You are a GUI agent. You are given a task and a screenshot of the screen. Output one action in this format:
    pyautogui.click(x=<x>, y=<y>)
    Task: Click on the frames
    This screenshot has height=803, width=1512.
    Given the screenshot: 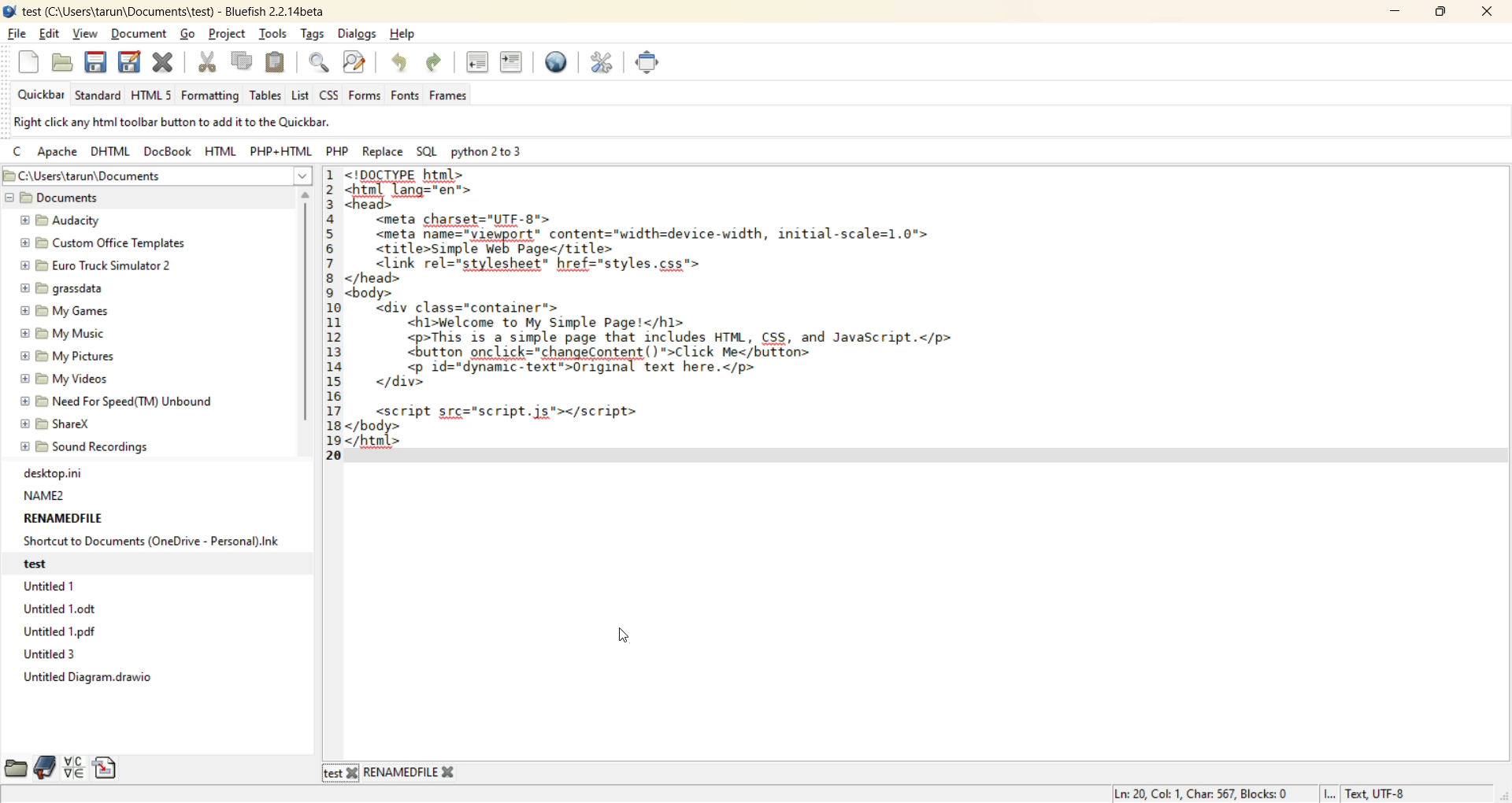 What is the action you would take?
    pyautogui.click(x=451, y=96)
    